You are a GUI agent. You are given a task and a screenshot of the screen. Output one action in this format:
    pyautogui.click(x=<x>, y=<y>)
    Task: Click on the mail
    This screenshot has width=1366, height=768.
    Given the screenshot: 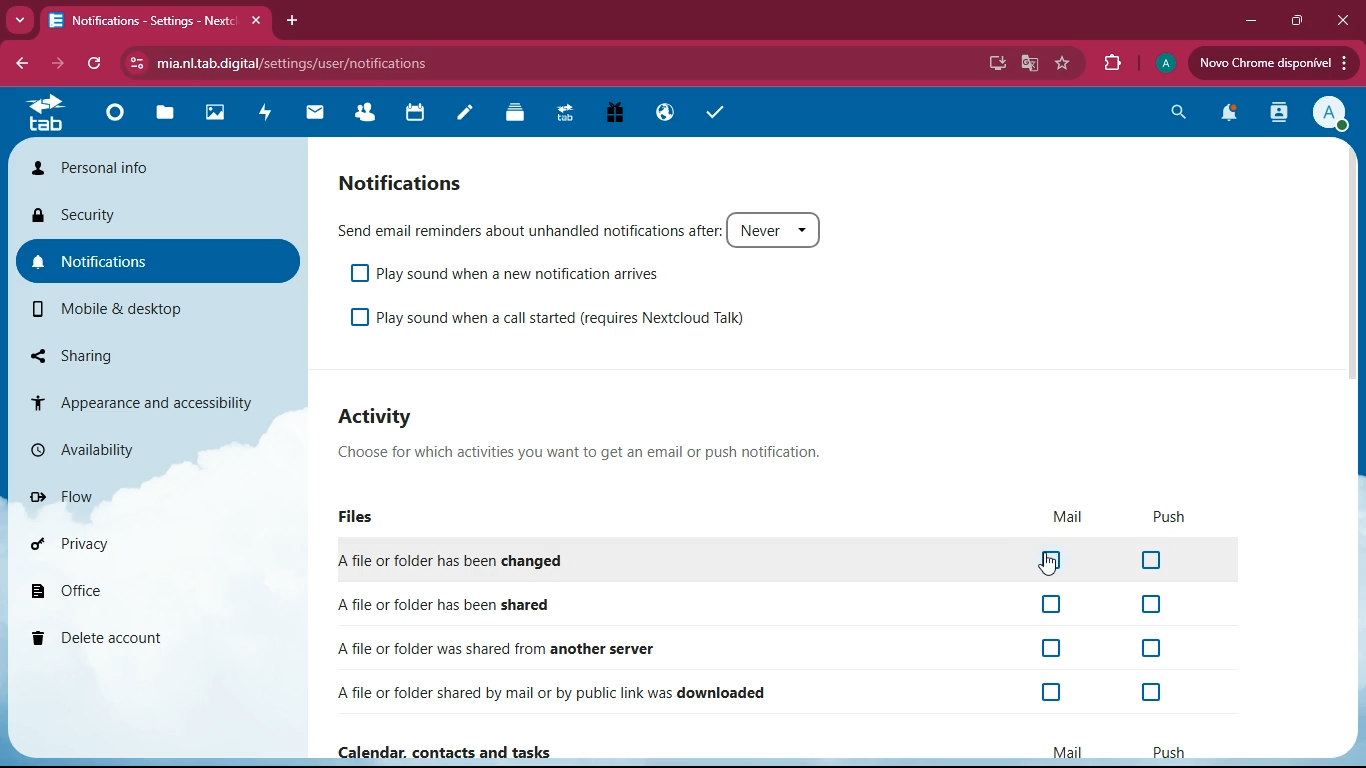 What is the action you would take?
    pyautogui.click(x=1070, y=753)
    